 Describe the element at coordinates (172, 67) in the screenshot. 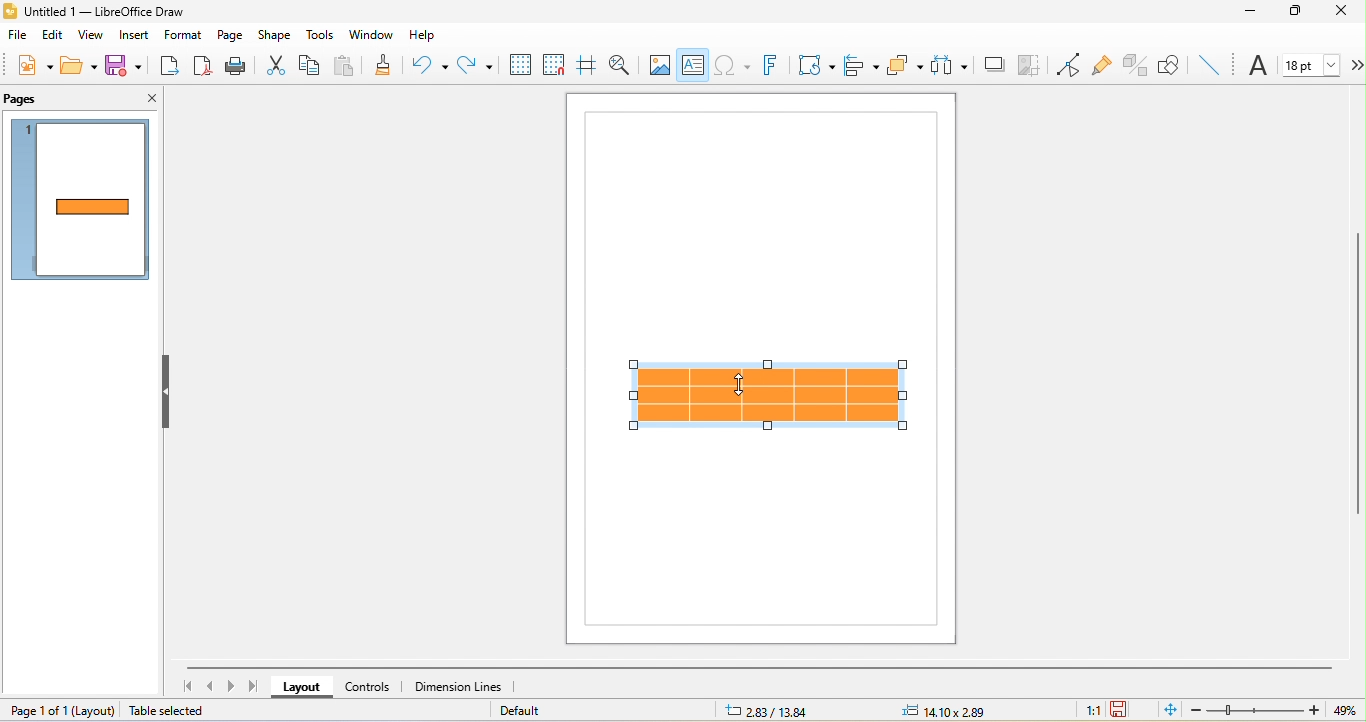

I see `export` at that location.